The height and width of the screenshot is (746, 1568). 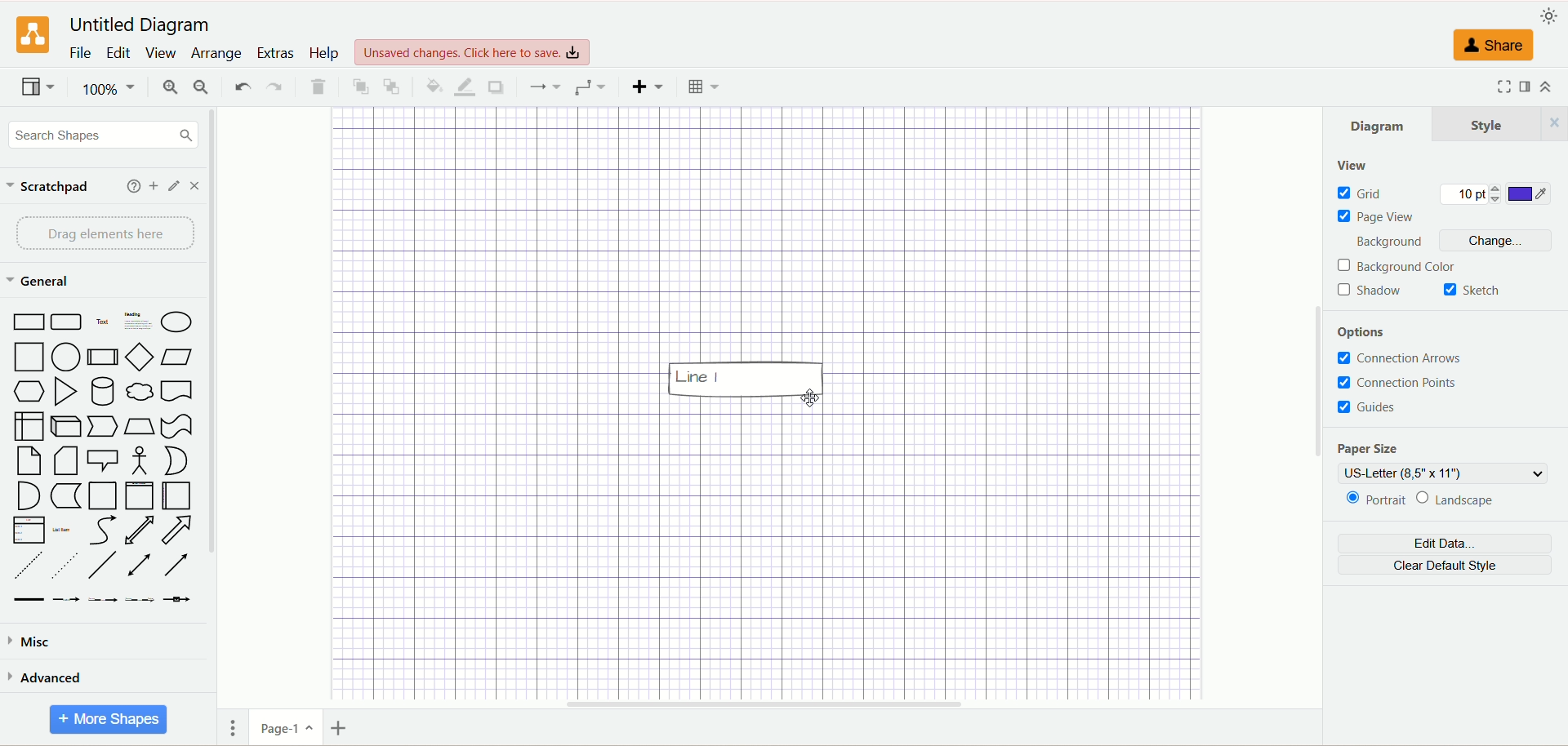 What do you see at coordinates (1376, 220) in the screenshot?
I see `page view` at bounding box center [1376, 220].